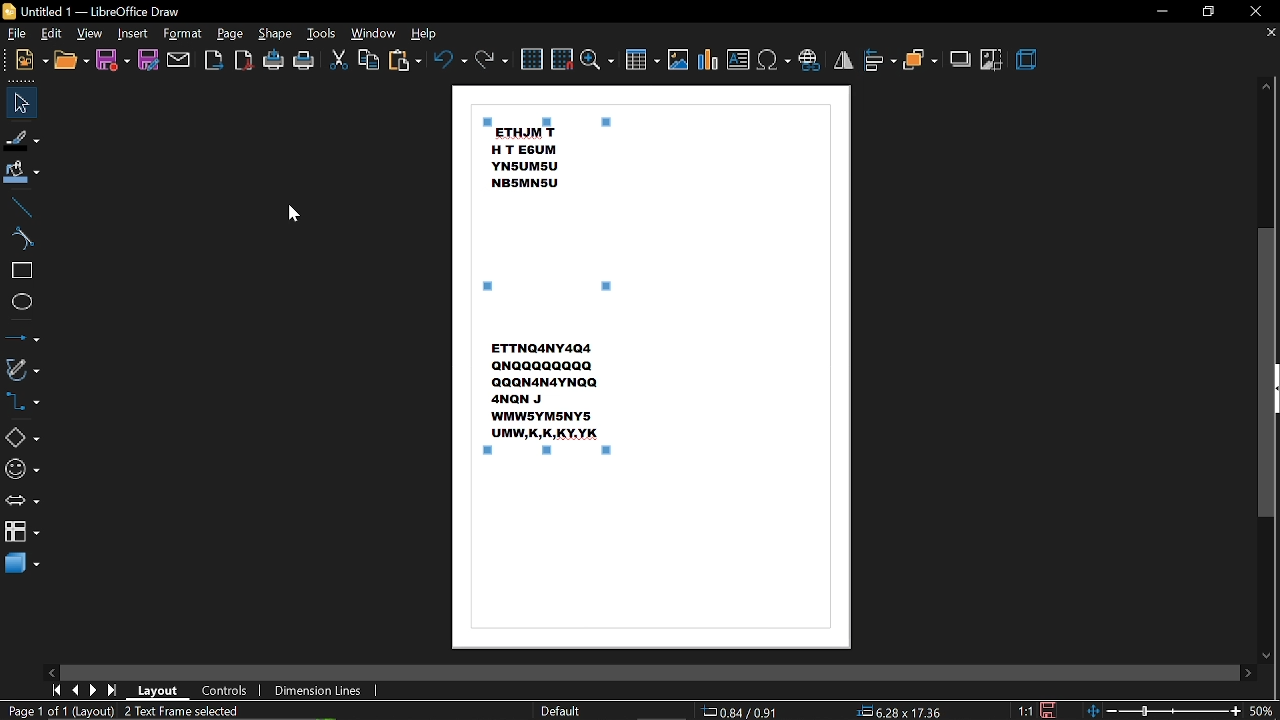 Image resolution: width=1280 pixels, height=720 pixels. Describe the element at coordinates (32, 61) in the screenshot. I see `new` at that location.